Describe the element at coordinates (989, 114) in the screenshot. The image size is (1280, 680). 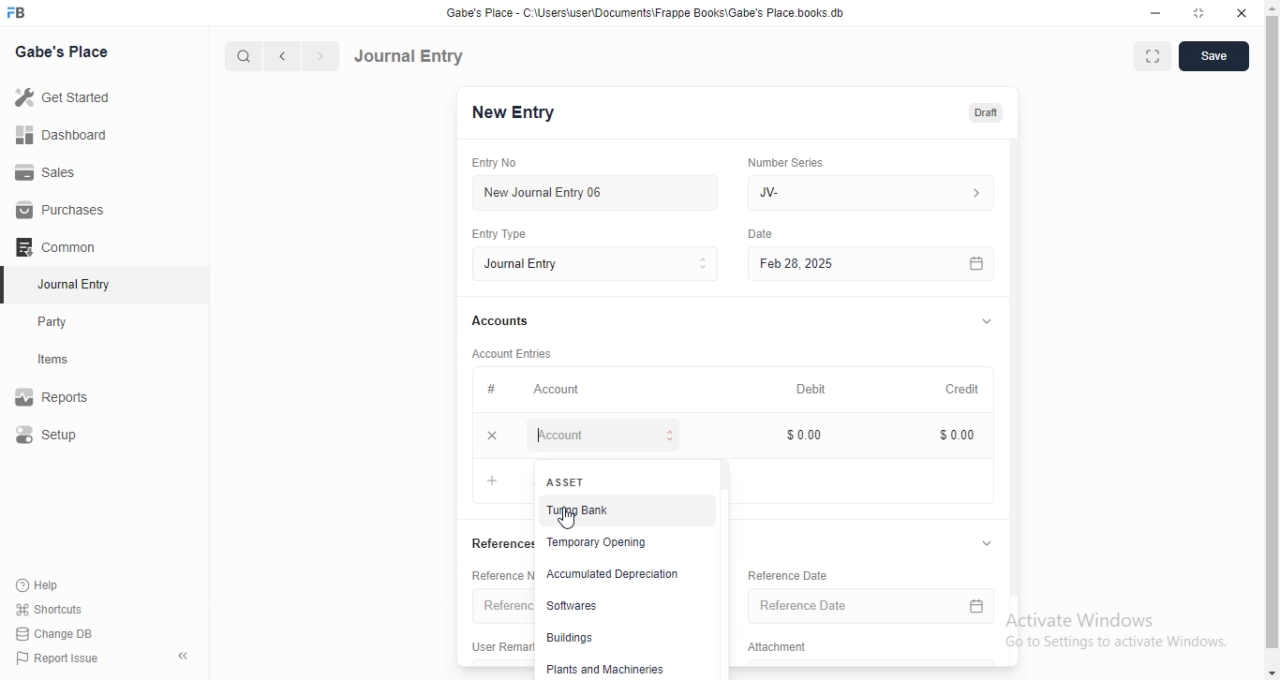
I see `draft` at that location.